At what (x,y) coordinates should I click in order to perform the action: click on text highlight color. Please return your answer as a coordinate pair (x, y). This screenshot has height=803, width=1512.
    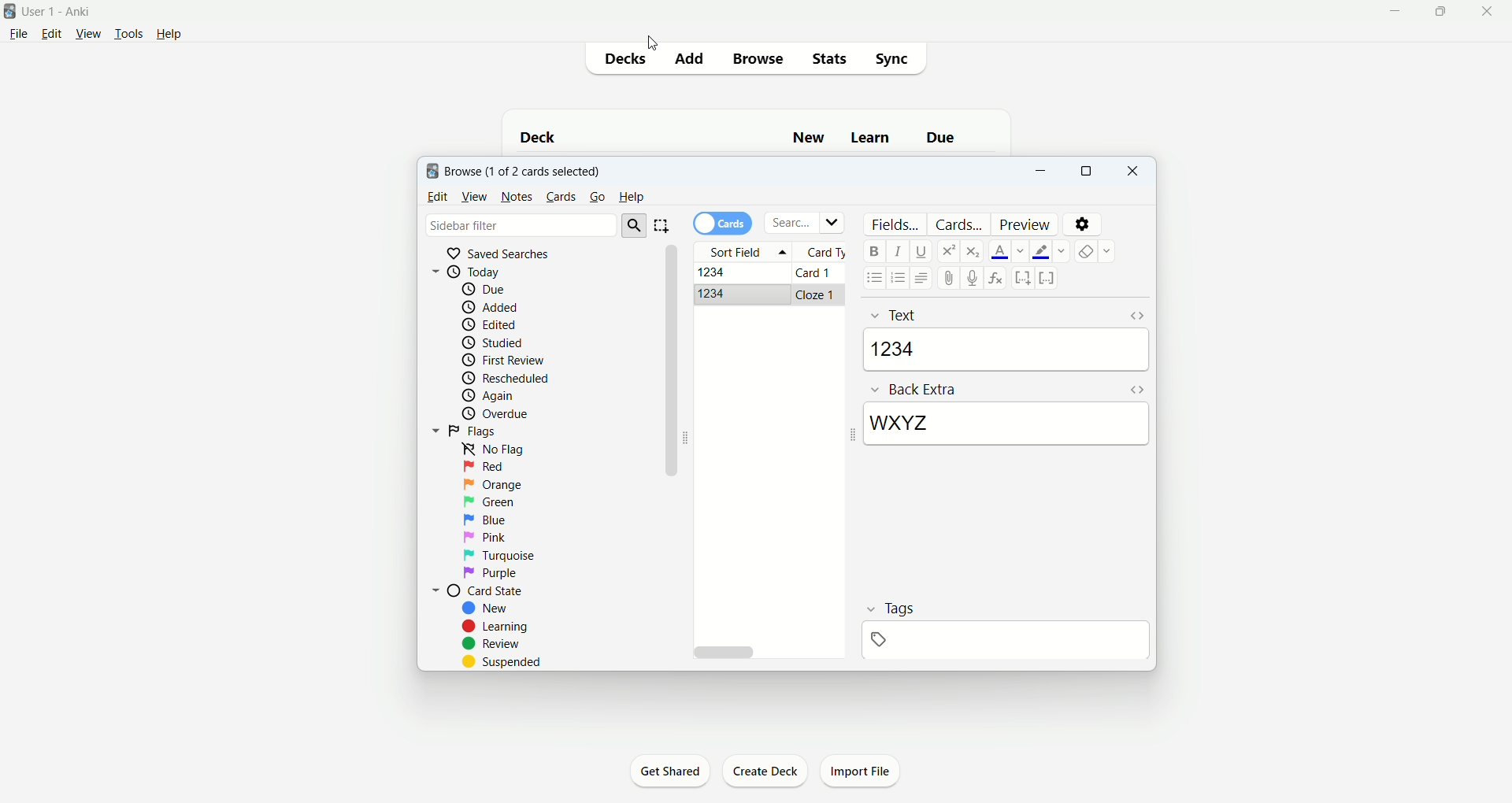
    Looking at the image, I should click on (1050, 251).